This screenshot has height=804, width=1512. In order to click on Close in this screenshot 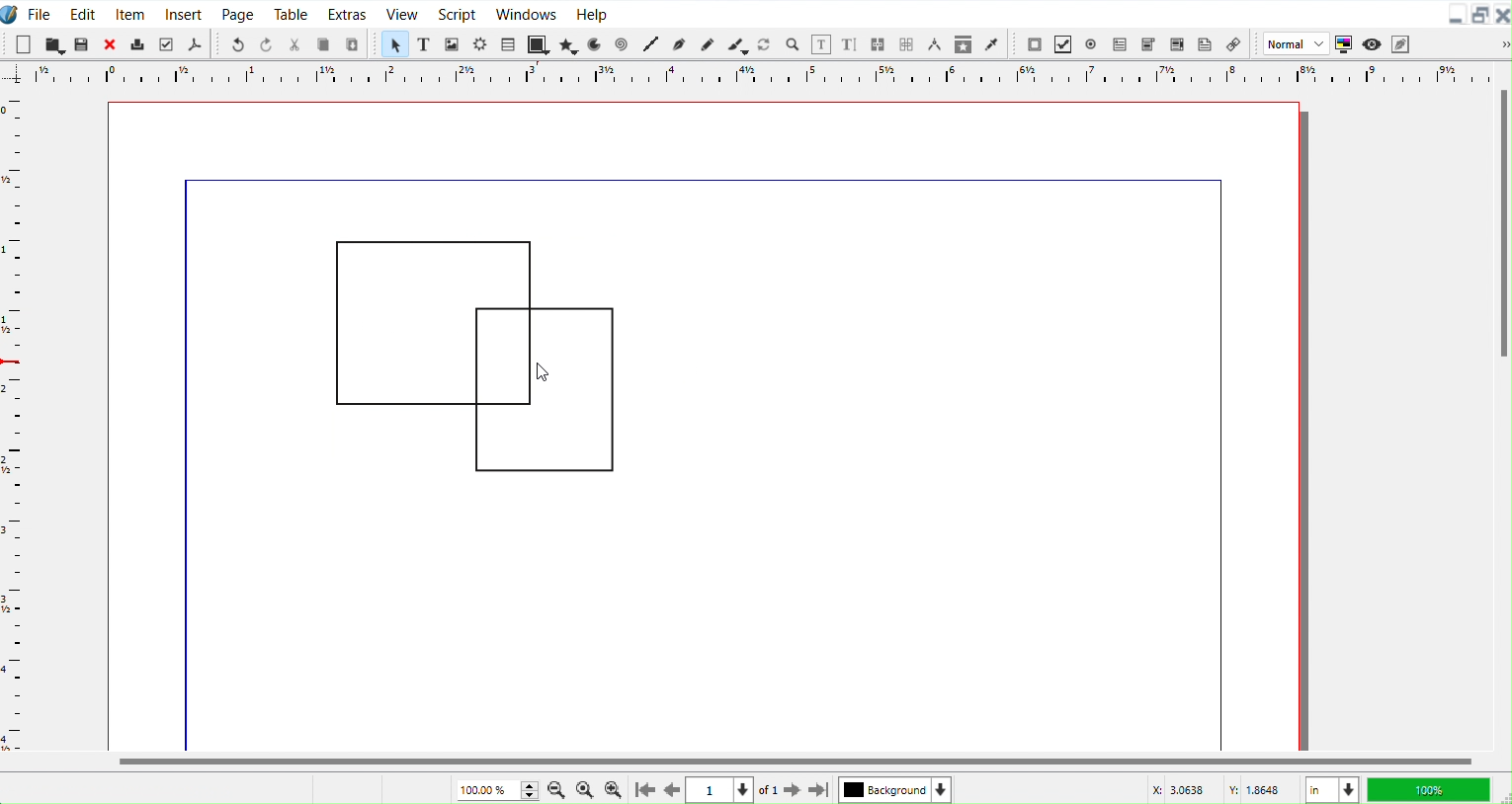, I will do `click(1502, 15)`.